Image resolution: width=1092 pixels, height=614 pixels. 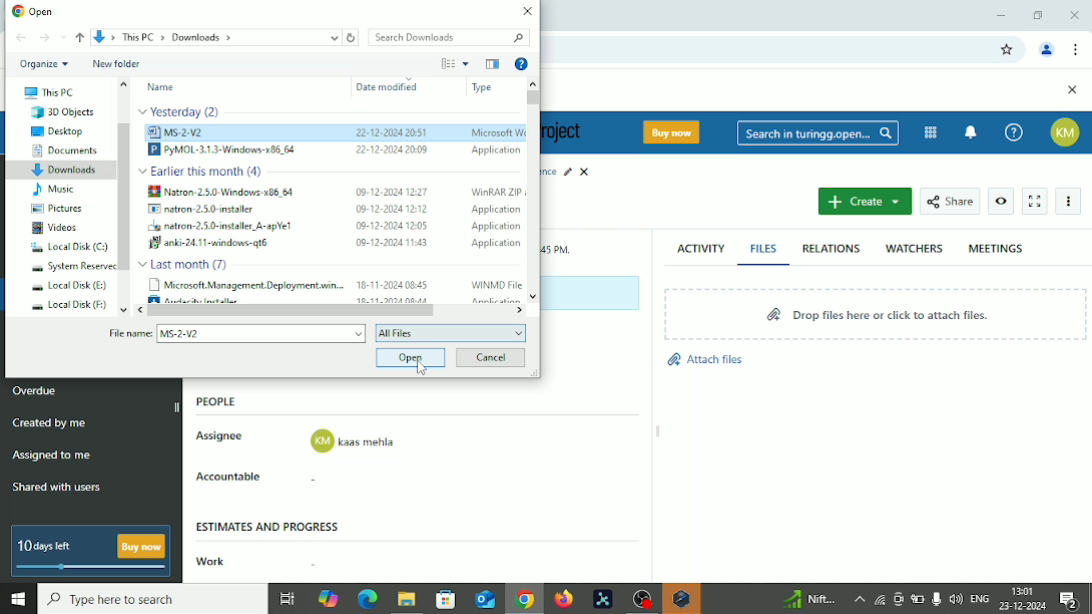 I want to click on Documents, so click(x=63, y=150).